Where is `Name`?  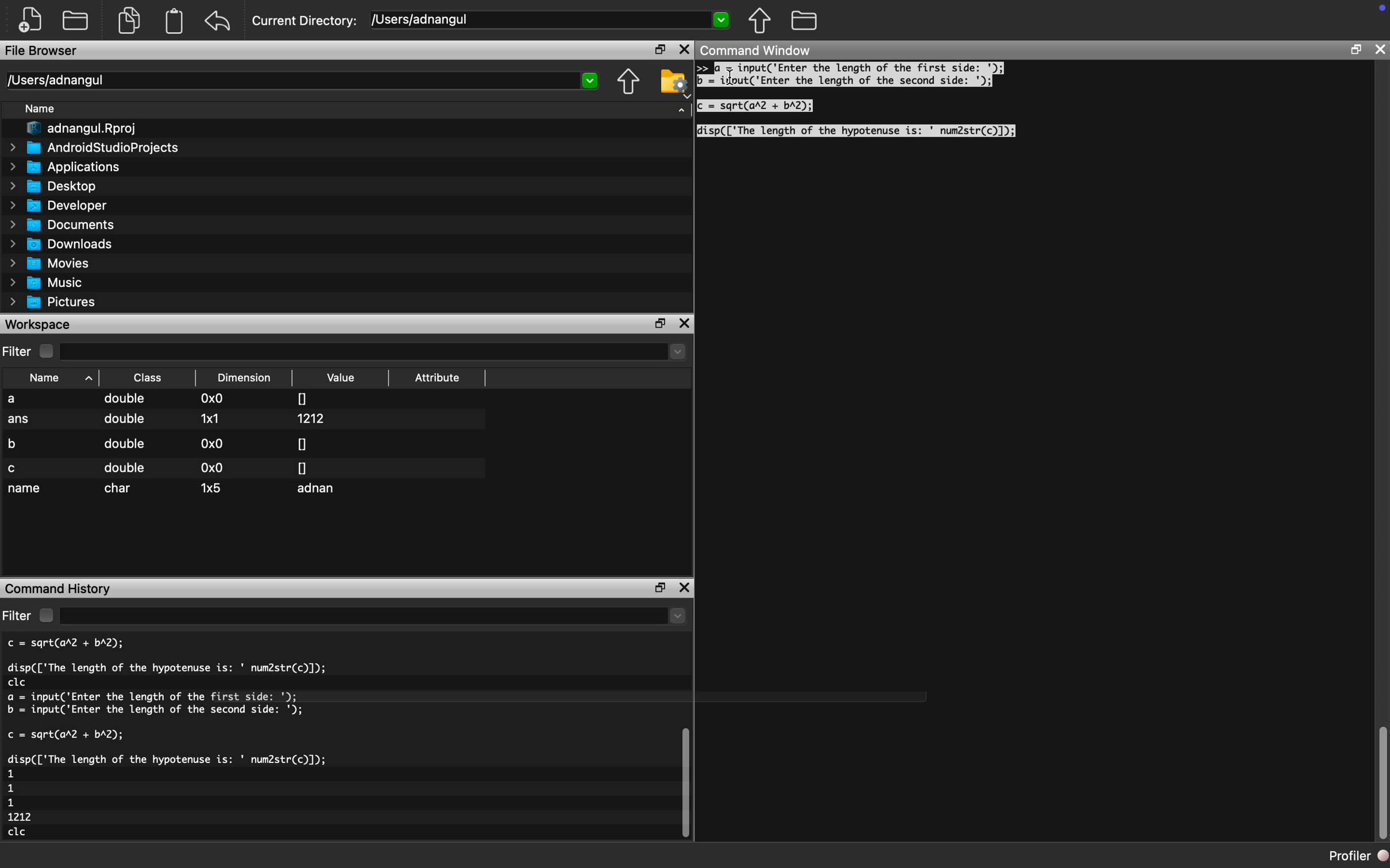
Name is located at coordinates (45, 110).